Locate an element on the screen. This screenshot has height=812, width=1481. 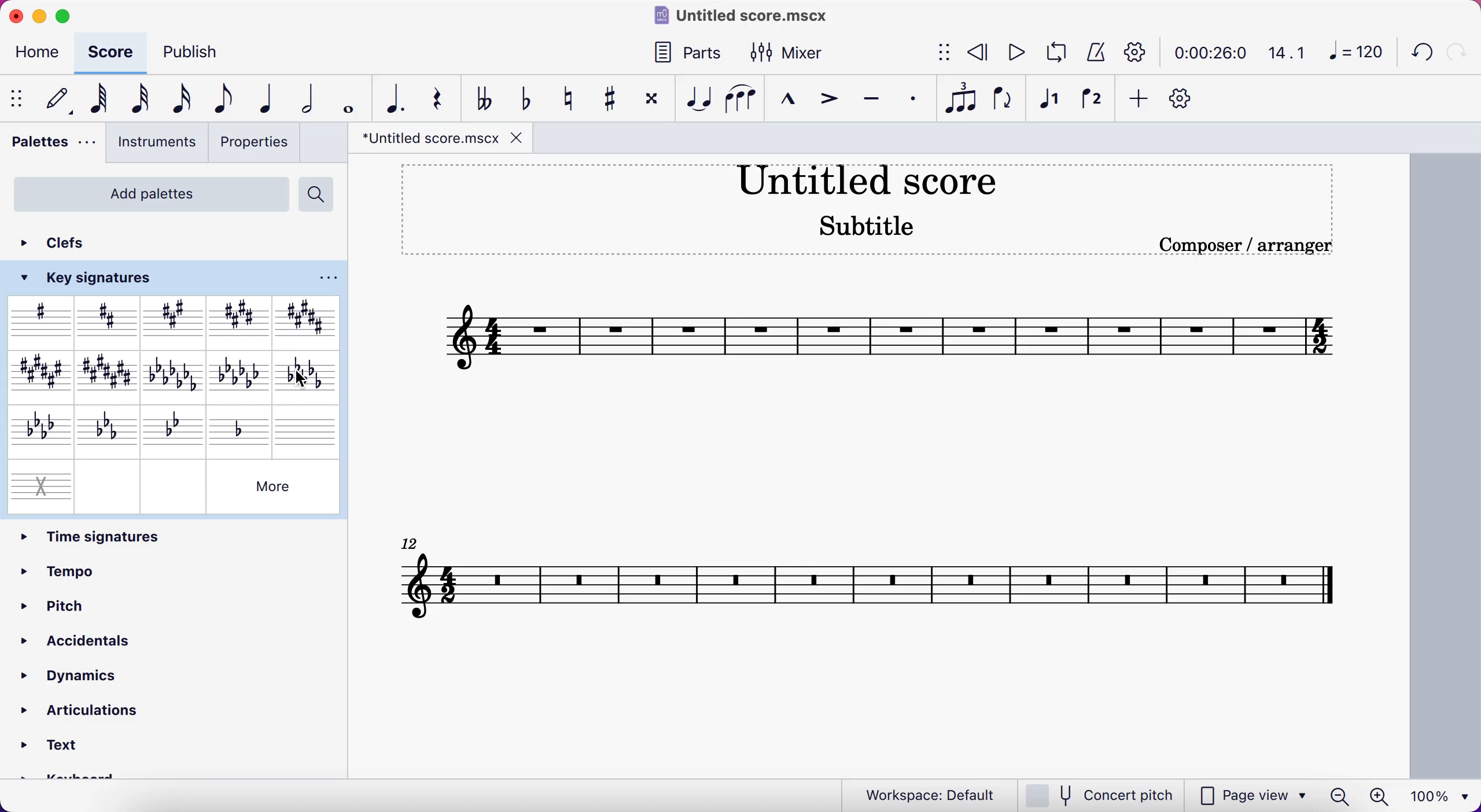
customize toolbar is located at coordinates (1189, 98).